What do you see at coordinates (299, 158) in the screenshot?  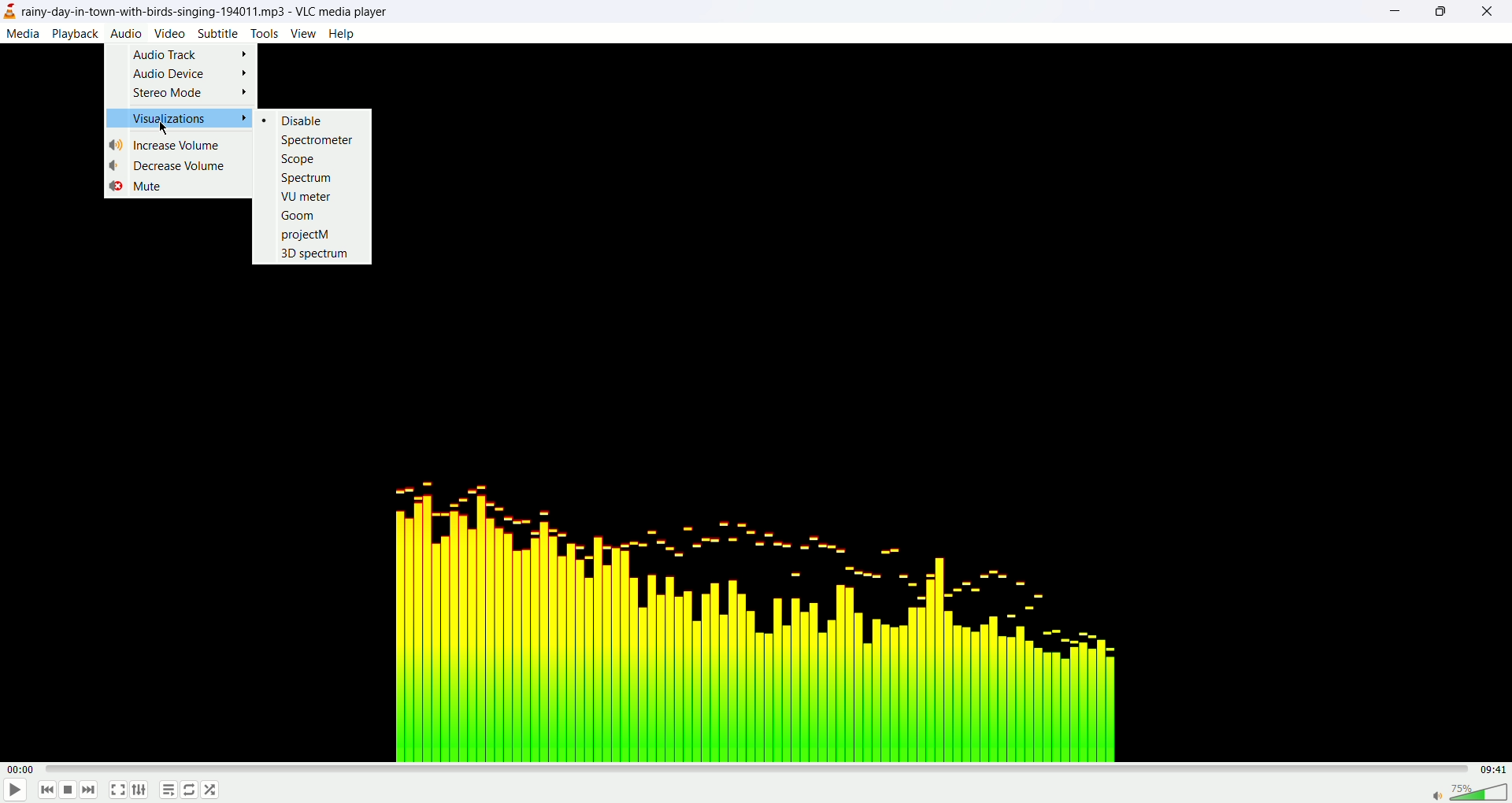 I see `scope` at bounding box center [299, 158].